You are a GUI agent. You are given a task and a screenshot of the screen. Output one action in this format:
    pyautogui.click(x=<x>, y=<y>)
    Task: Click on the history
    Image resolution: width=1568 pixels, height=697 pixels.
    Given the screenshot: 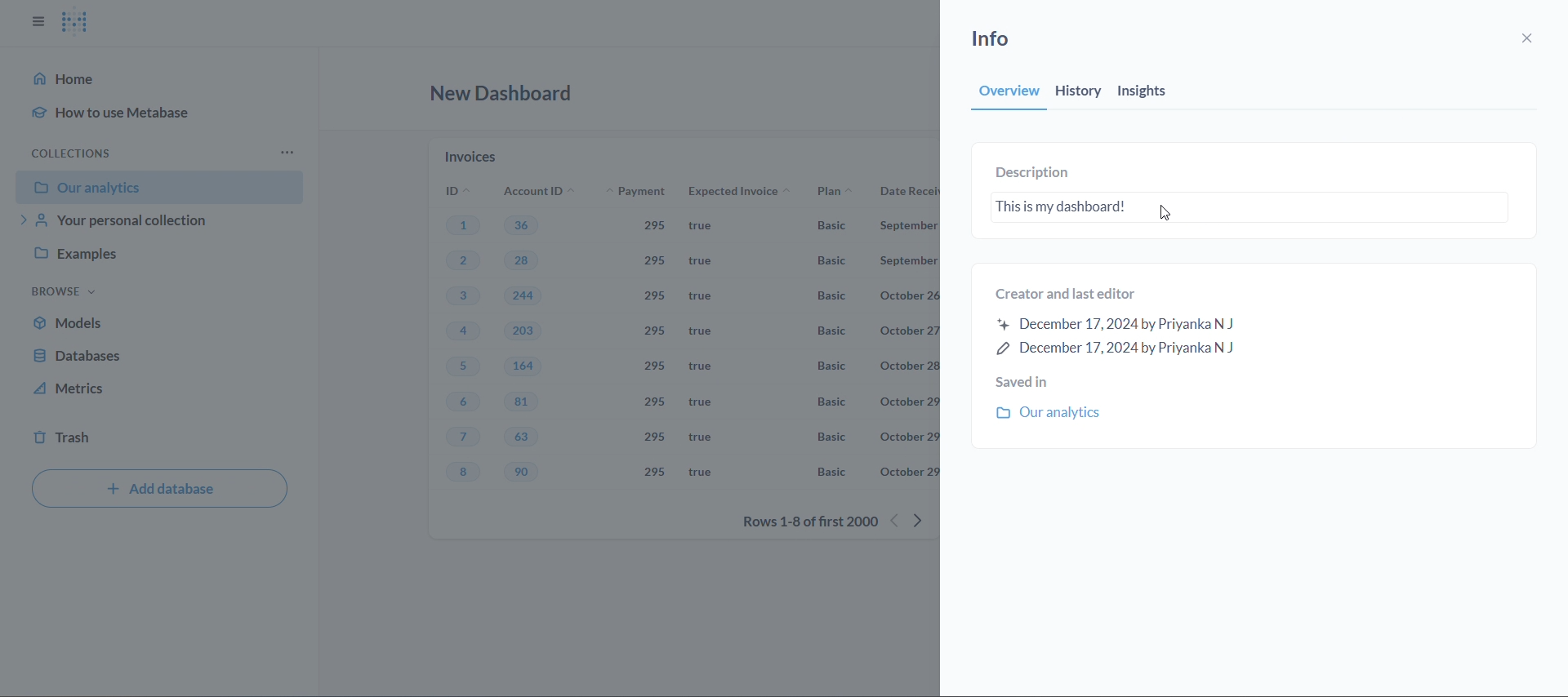 What is the action you would take?
    pyautogui.click(x=1080, y=93)
    